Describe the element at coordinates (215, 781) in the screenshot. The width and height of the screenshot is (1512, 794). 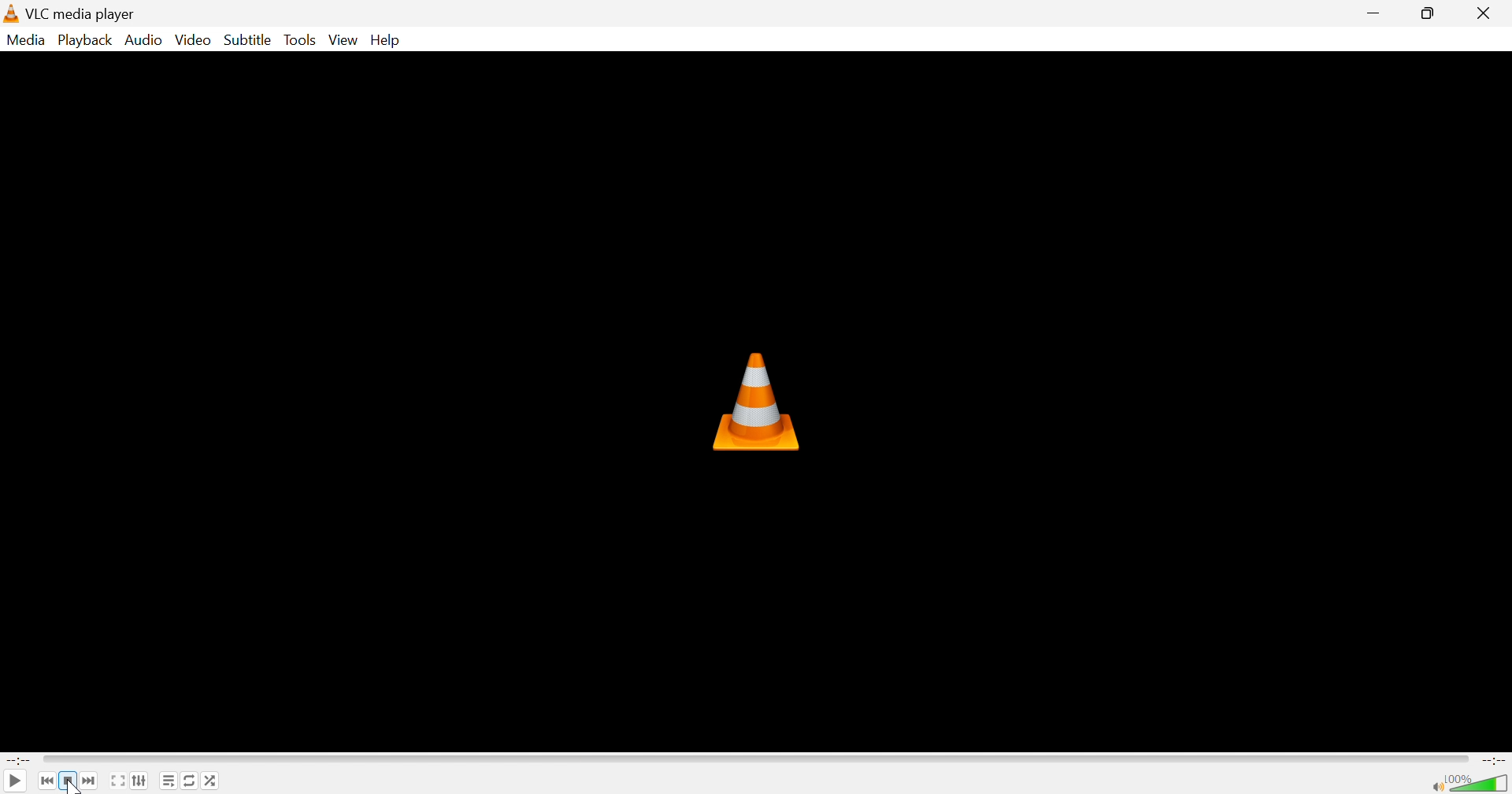
I see `Random` at that location.